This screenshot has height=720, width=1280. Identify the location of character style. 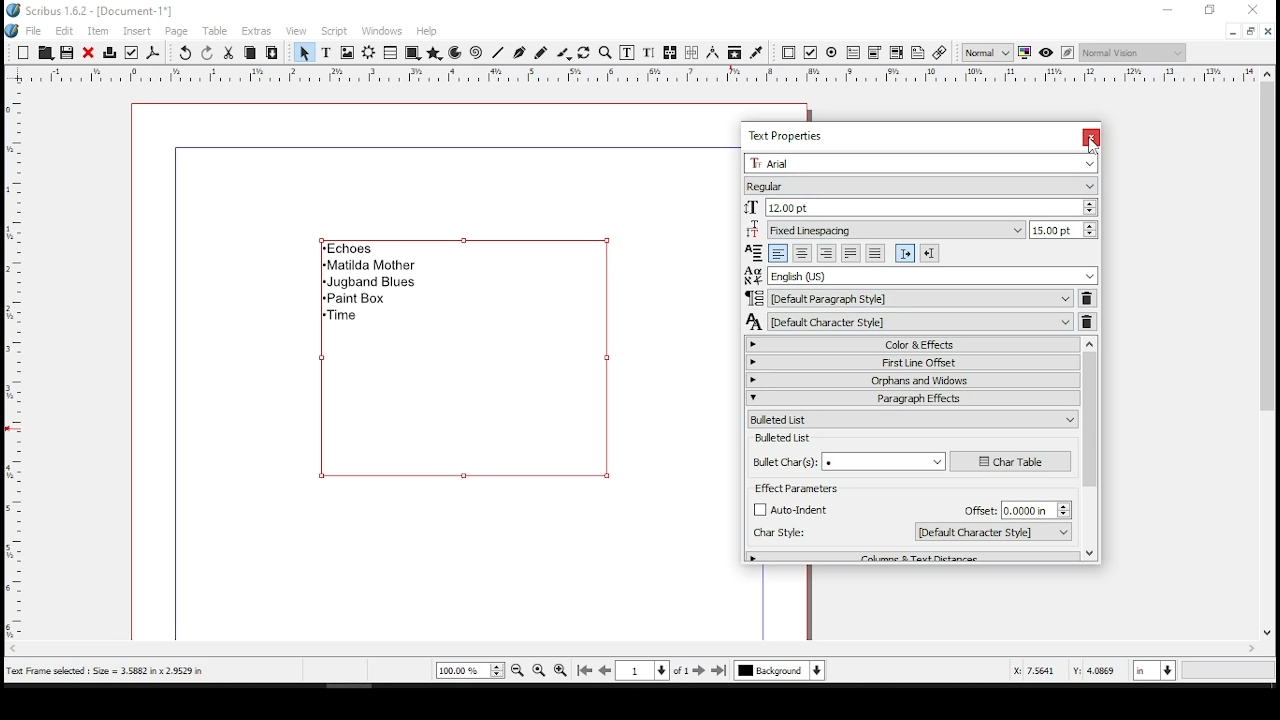
(909, 322).